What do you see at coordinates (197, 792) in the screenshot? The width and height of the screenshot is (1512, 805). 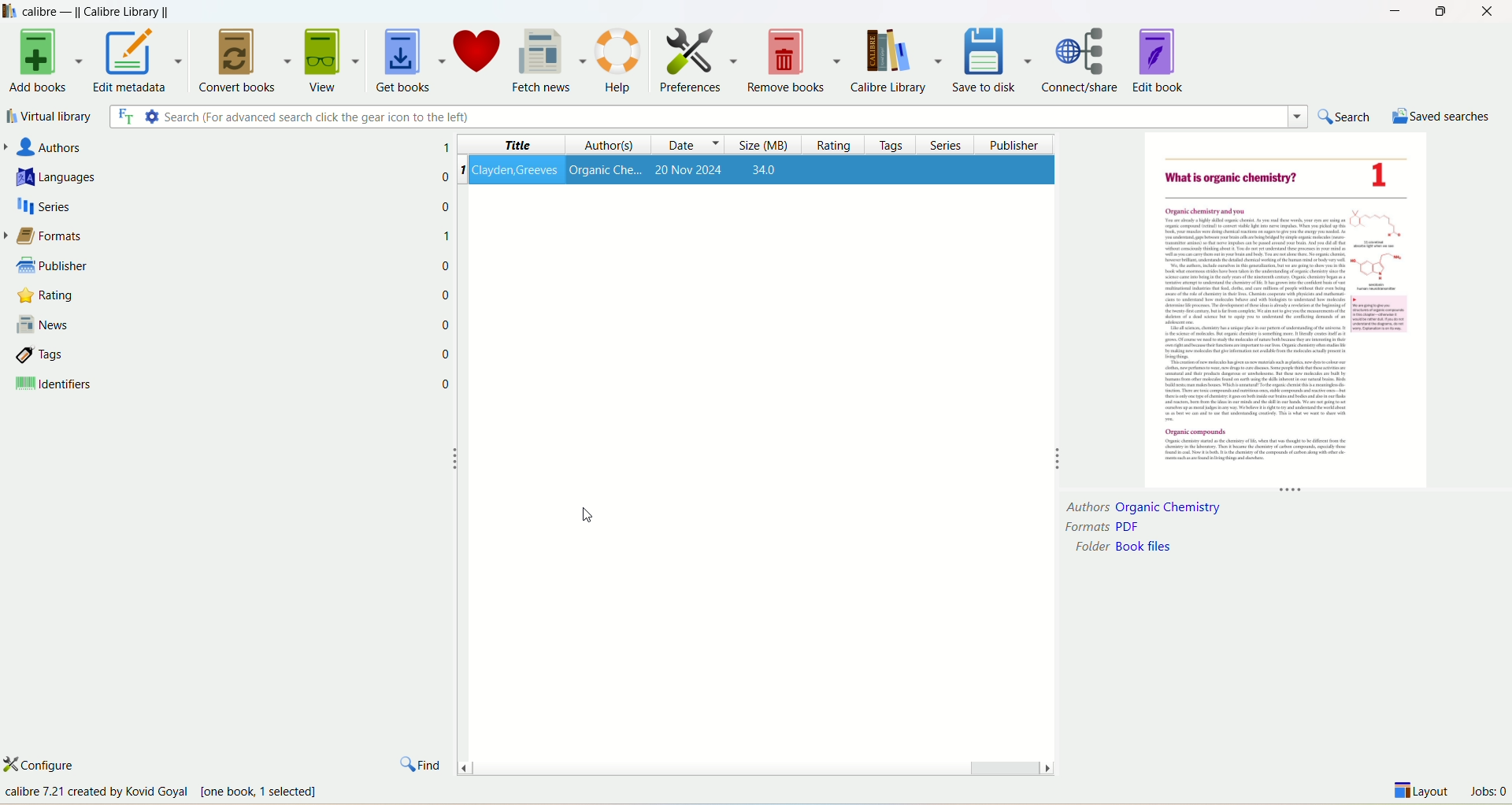 I see `` at bounding box center [197, 792].